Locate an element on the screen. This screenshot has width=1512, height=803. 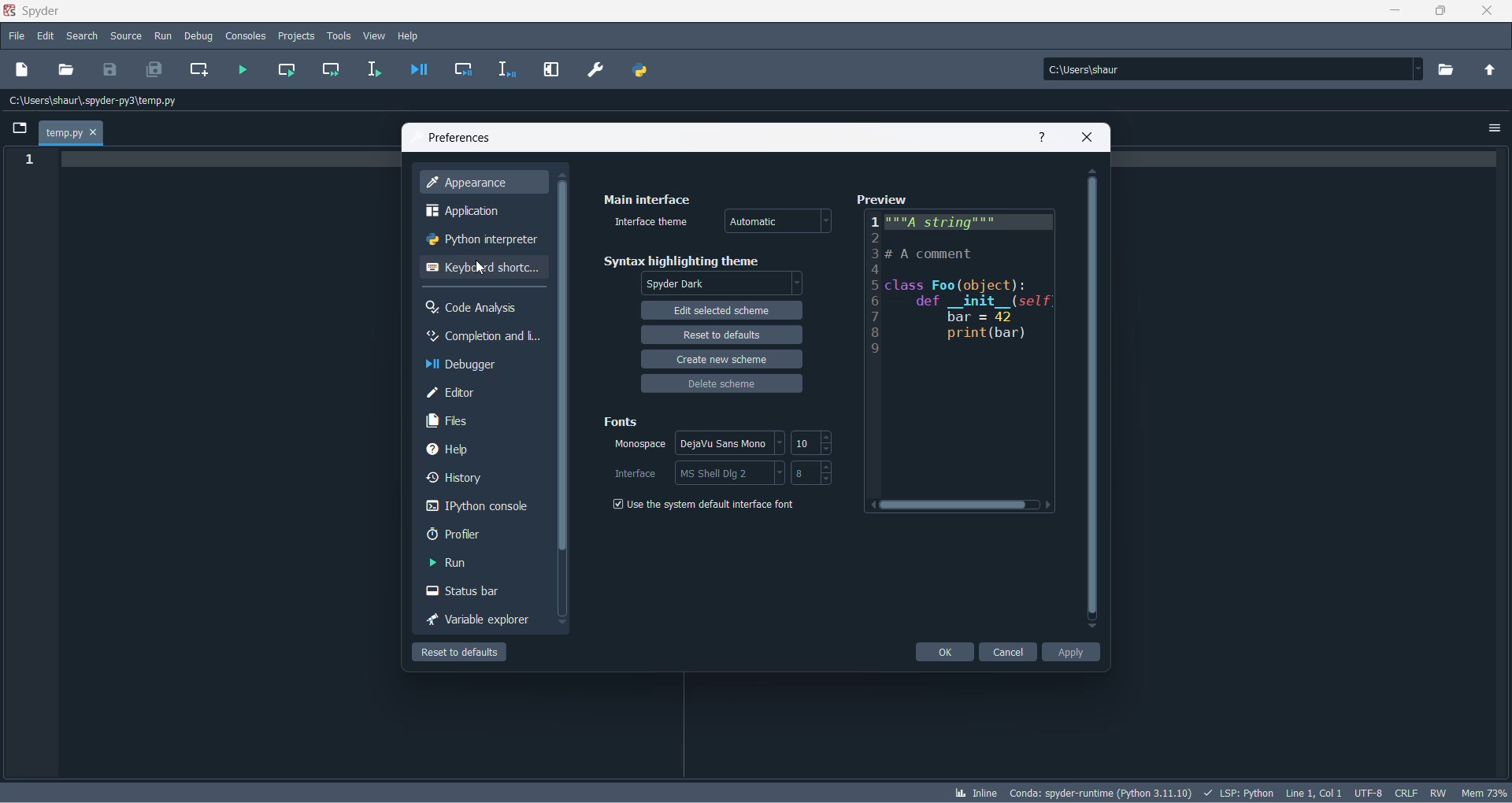
search is located at coordinates (82, 35).